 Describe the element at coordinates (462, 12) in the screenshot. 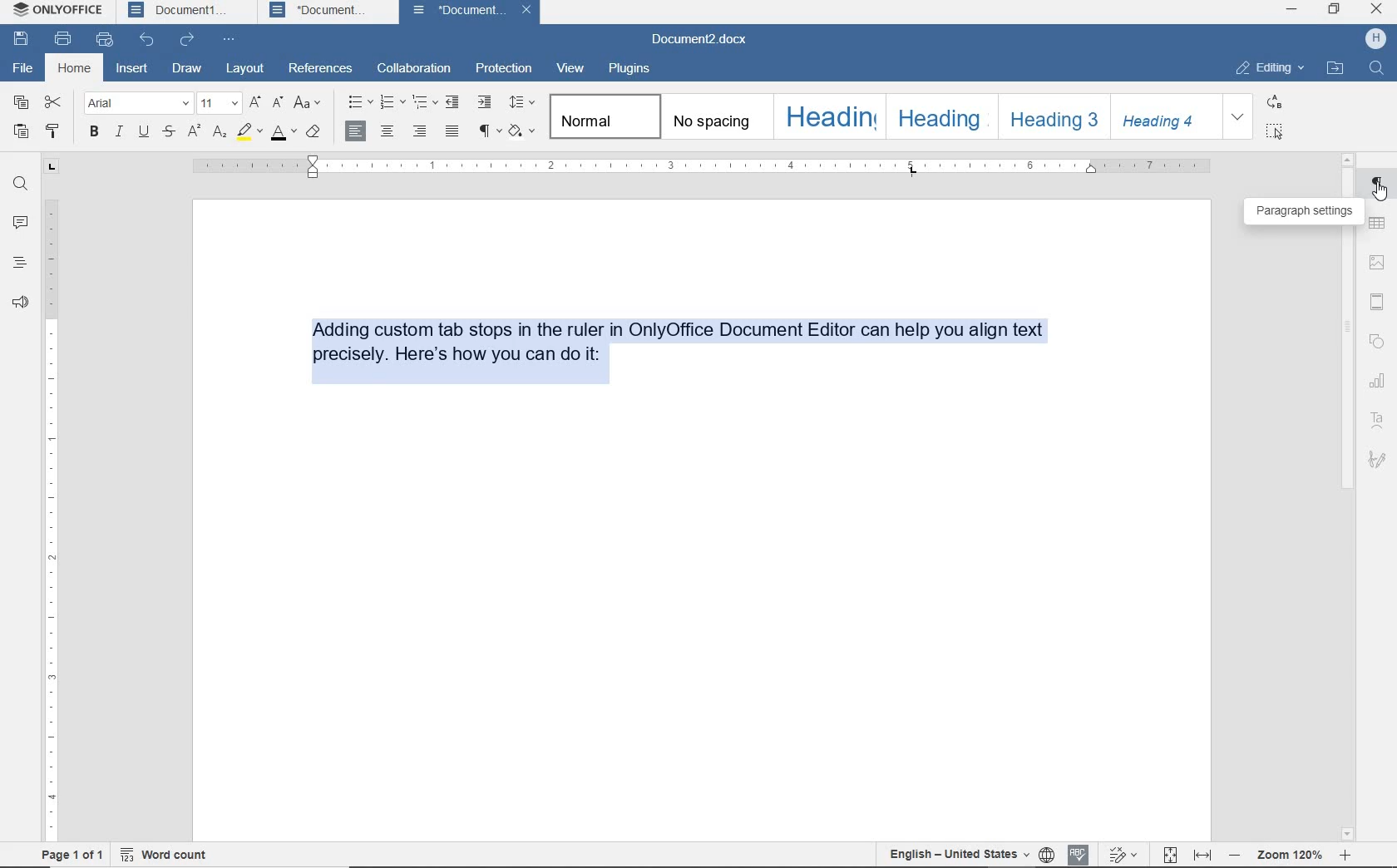

I see `Document` at that location.